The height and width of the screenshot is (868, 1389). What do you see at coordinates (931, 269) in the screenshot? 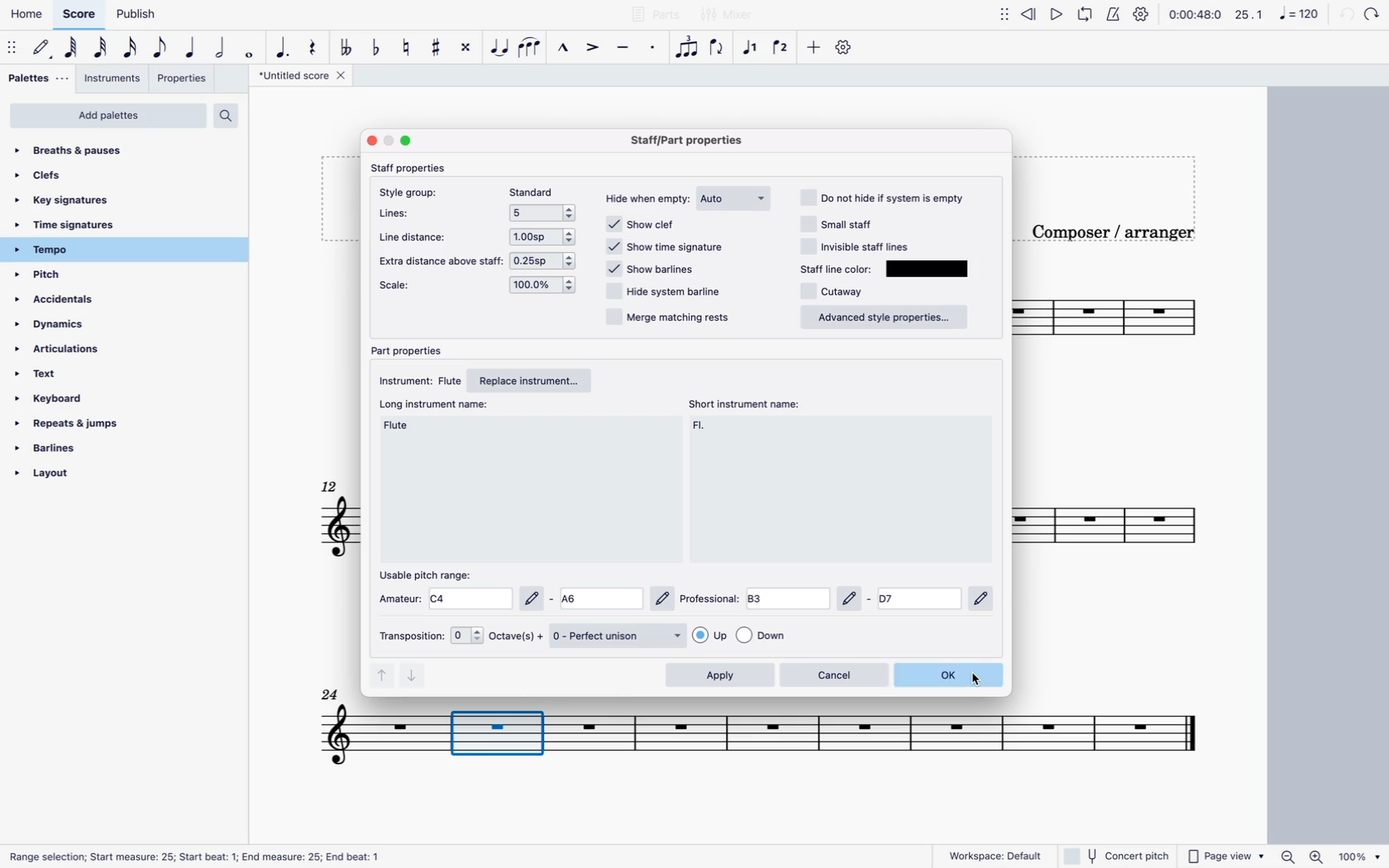
I see `olor` at bounding box center [931, 269].